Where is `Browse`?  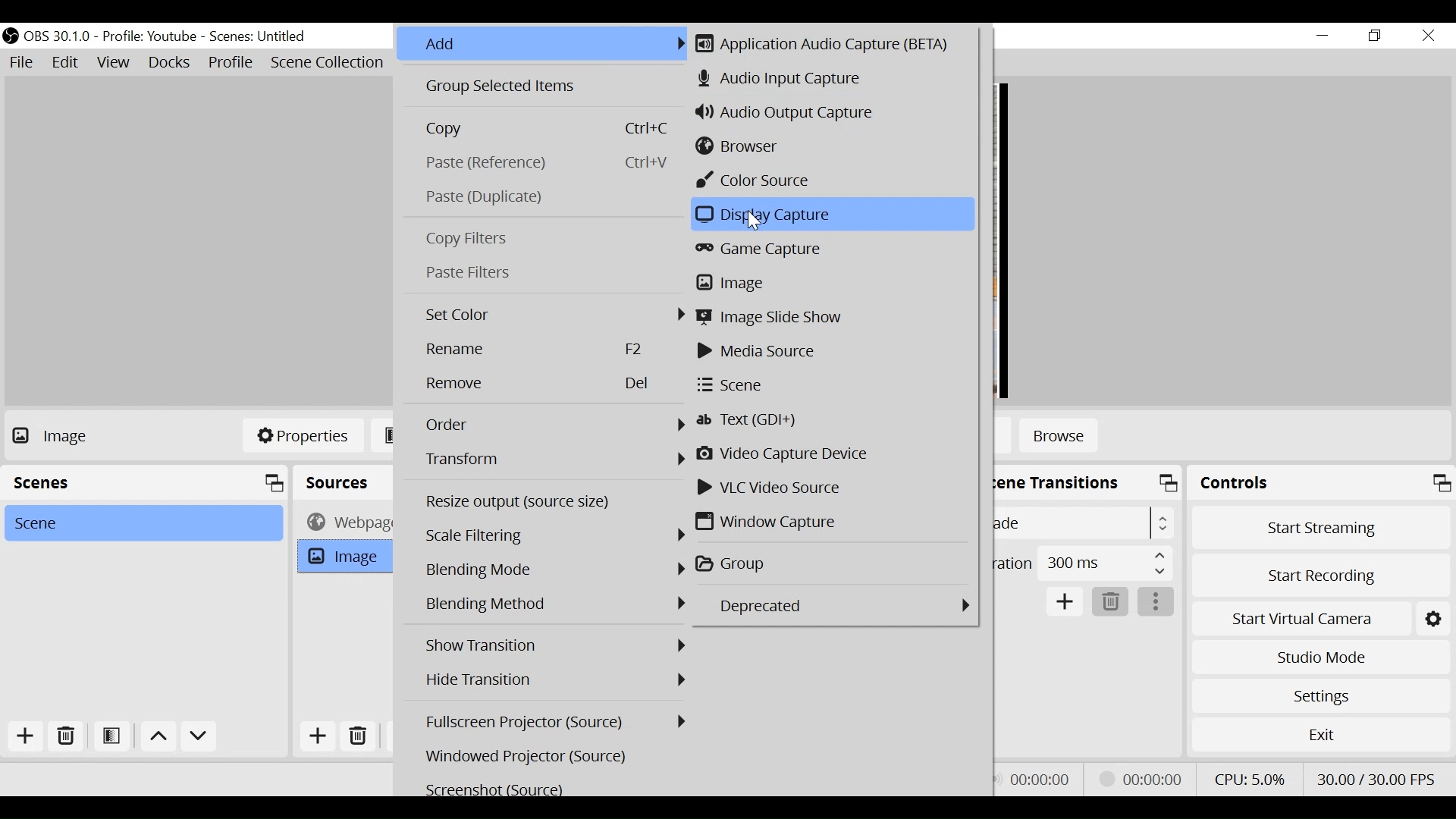
Browse is located at coordinates (1059, 438).